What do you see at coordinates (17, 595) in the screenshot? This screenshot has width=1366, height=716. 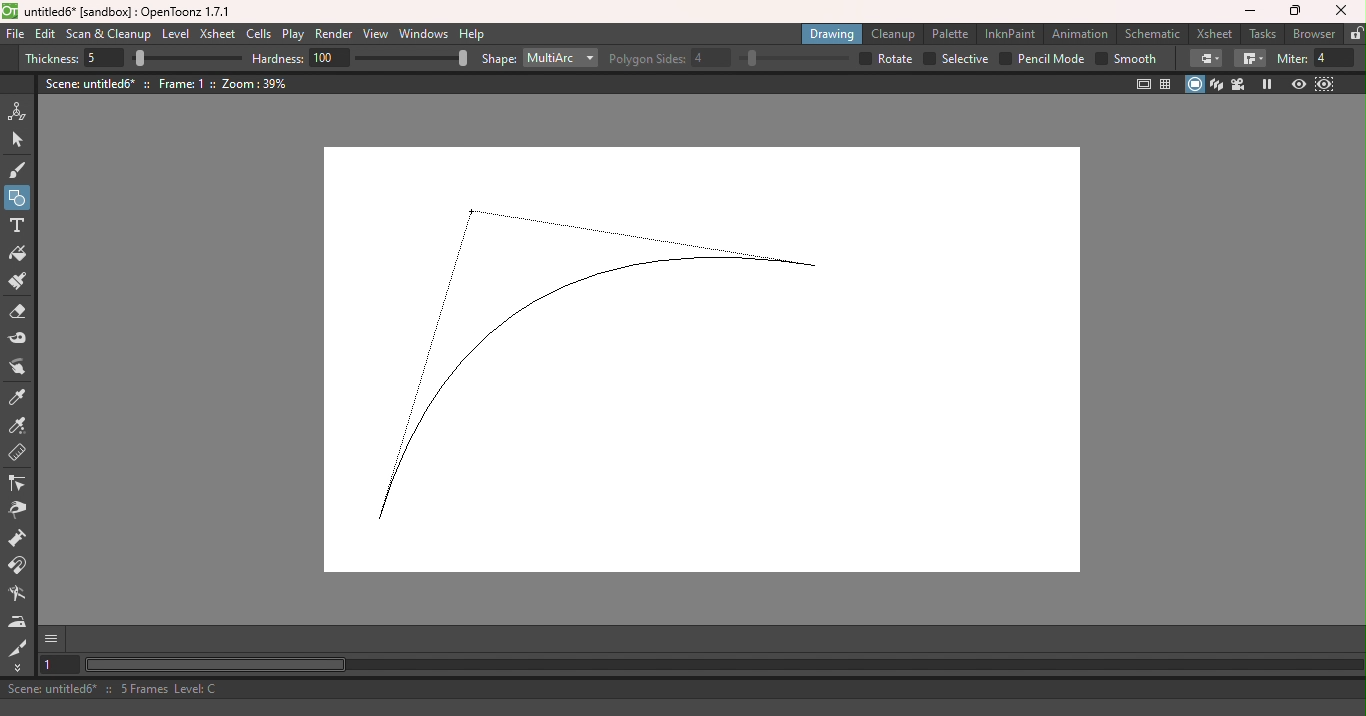 I see `Blender tool` at bounding box center [17, 595].